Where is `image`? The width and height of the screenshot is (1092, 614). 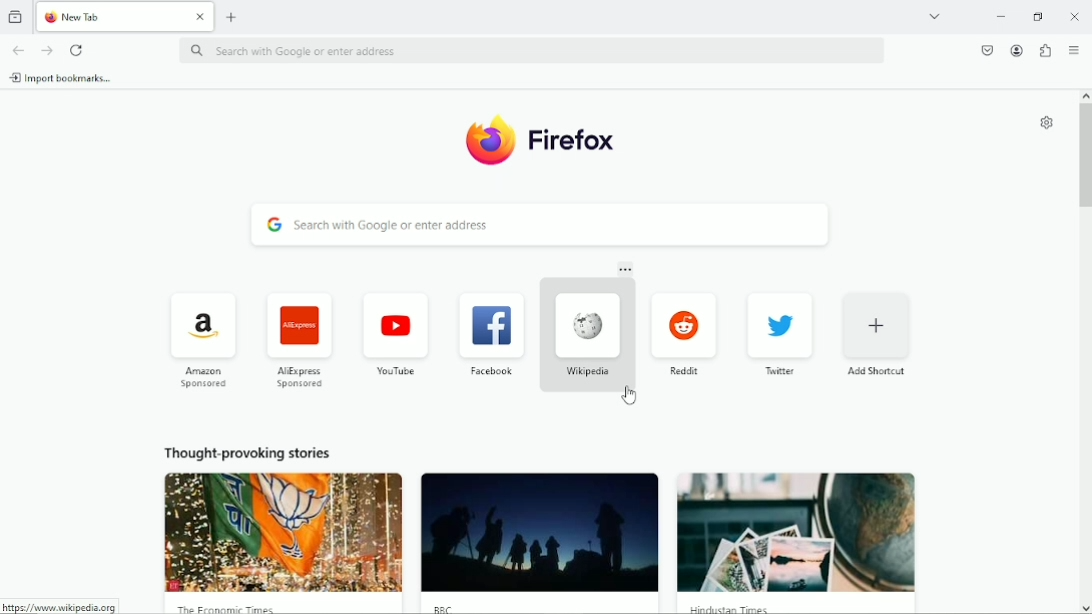
image is located at coordinates (285, 532).